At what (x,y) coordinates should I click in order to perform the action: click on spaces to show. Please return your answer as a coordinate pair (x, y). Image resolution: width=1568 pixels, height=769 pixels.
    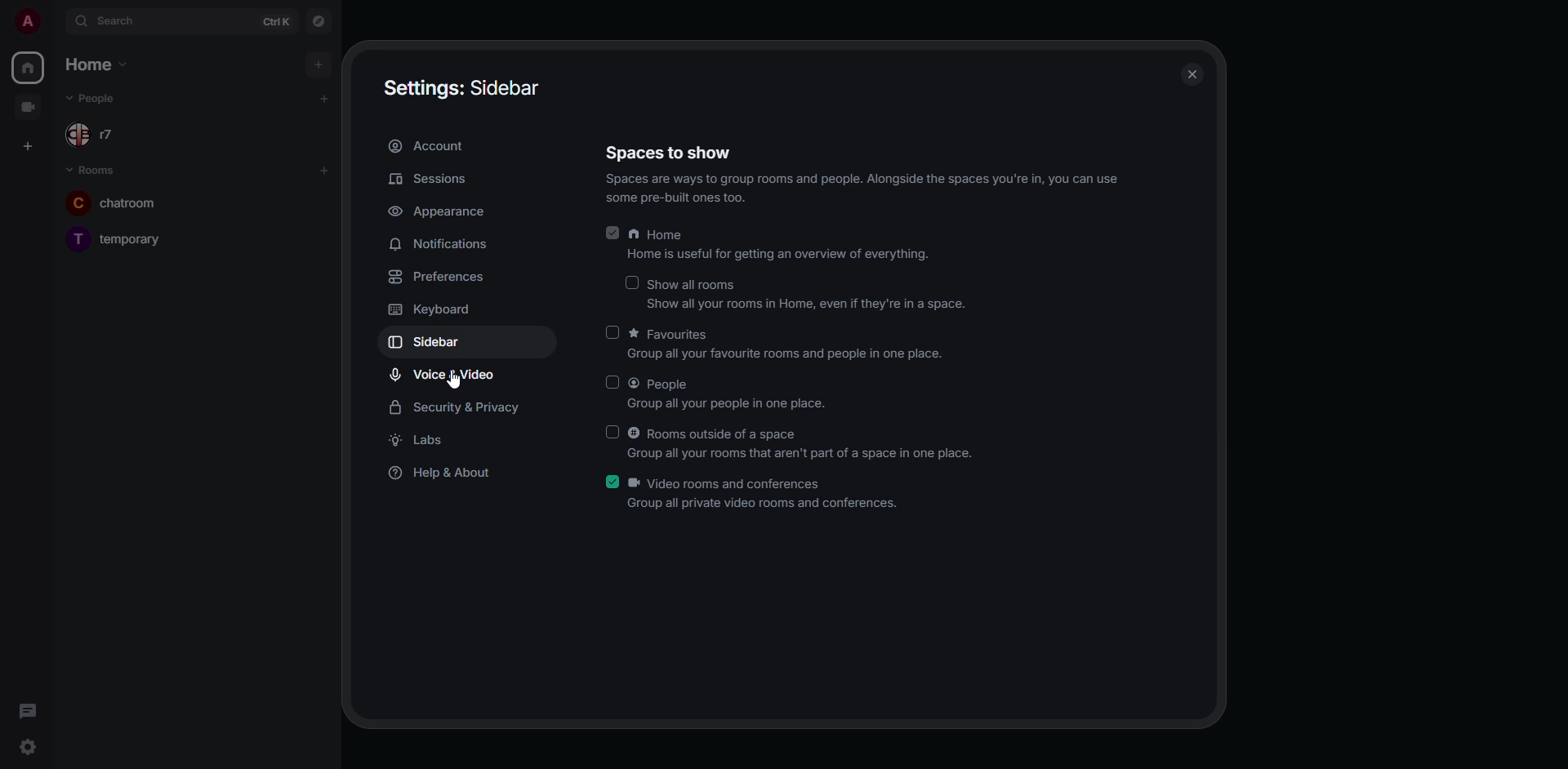
    Looking at the image, I should click on (854, 172).